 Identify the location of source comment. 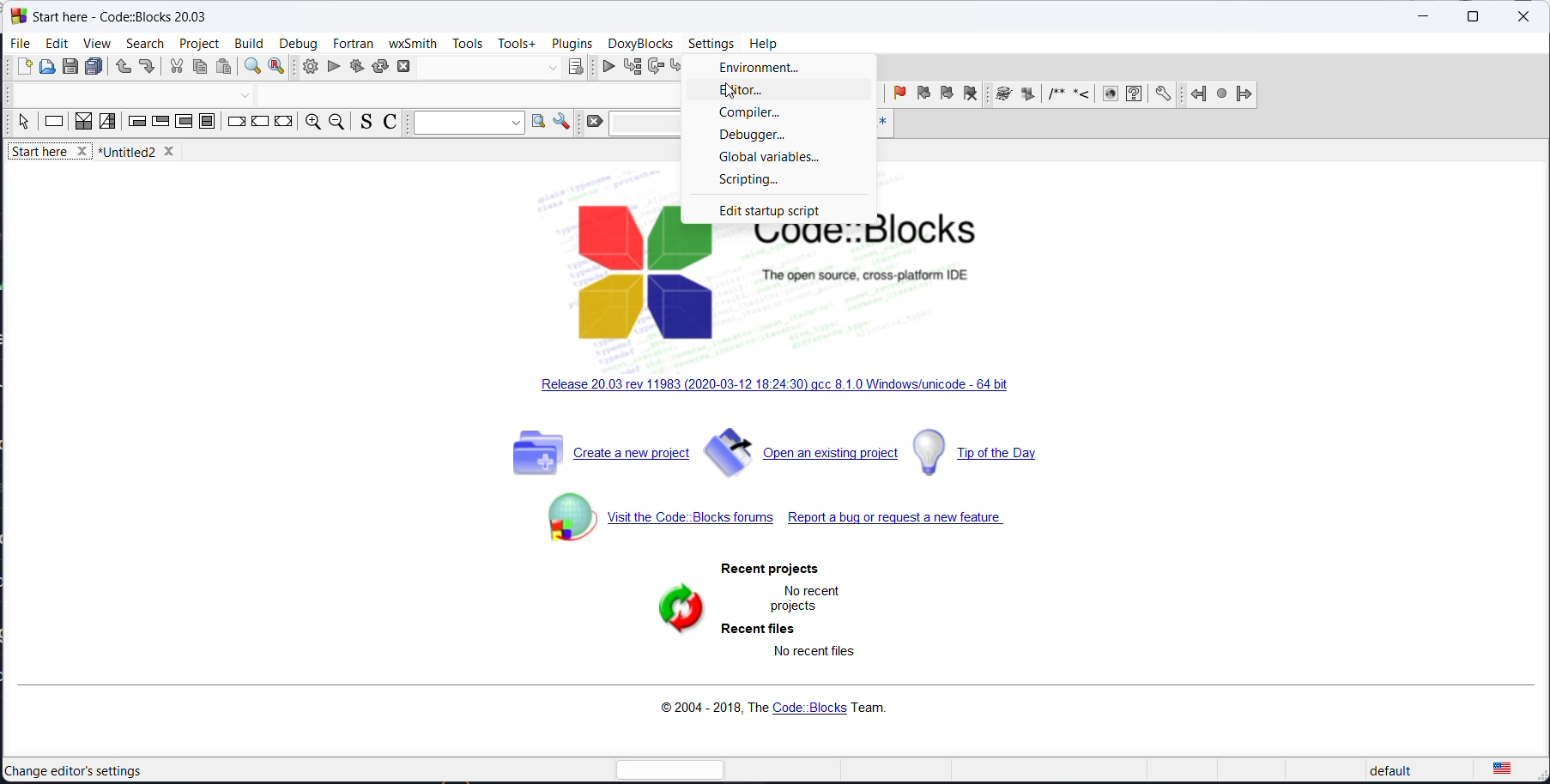
(363, 123).